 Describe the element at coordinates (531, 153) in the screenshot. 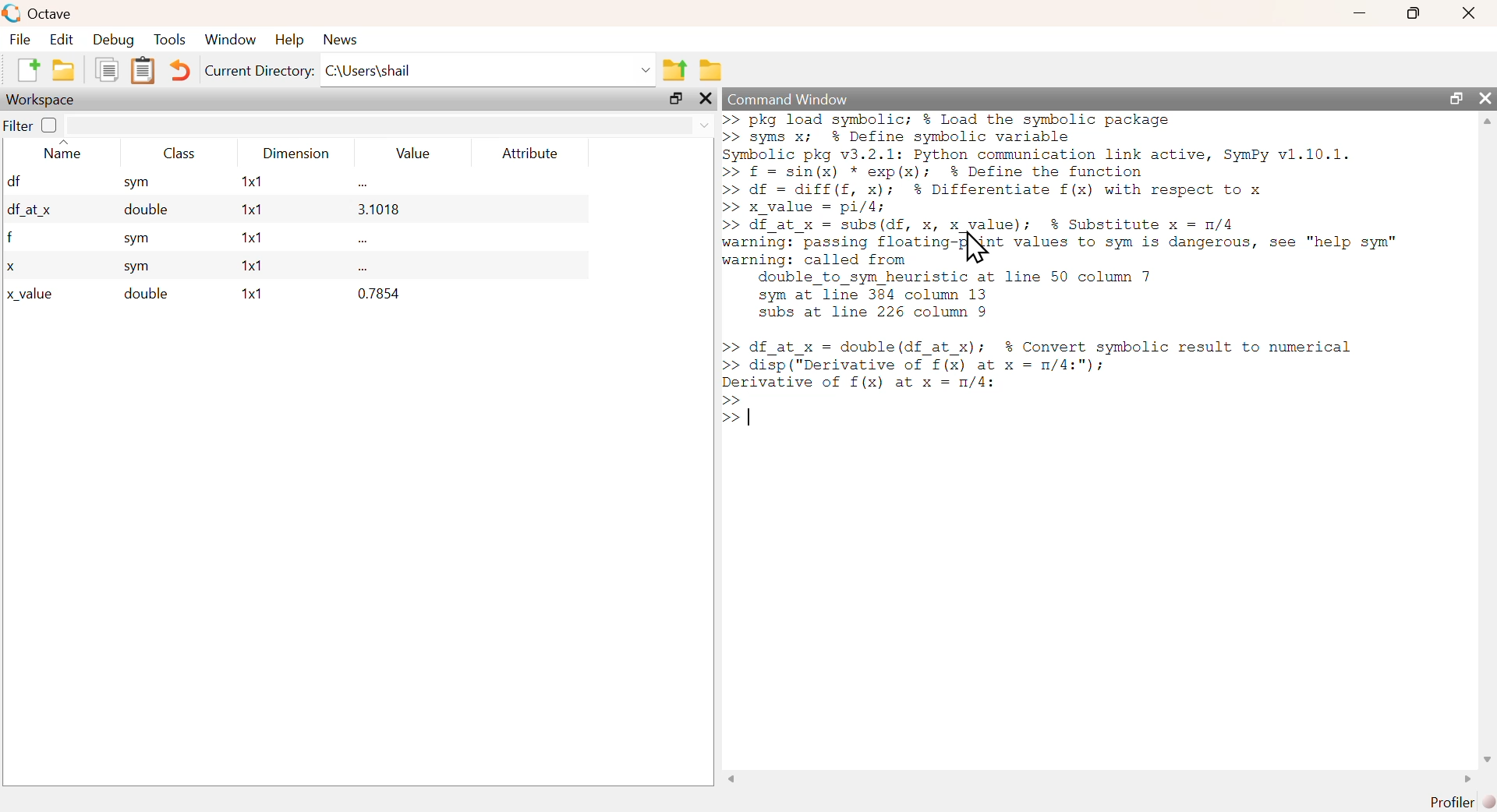

I see `Attribute` at that location.